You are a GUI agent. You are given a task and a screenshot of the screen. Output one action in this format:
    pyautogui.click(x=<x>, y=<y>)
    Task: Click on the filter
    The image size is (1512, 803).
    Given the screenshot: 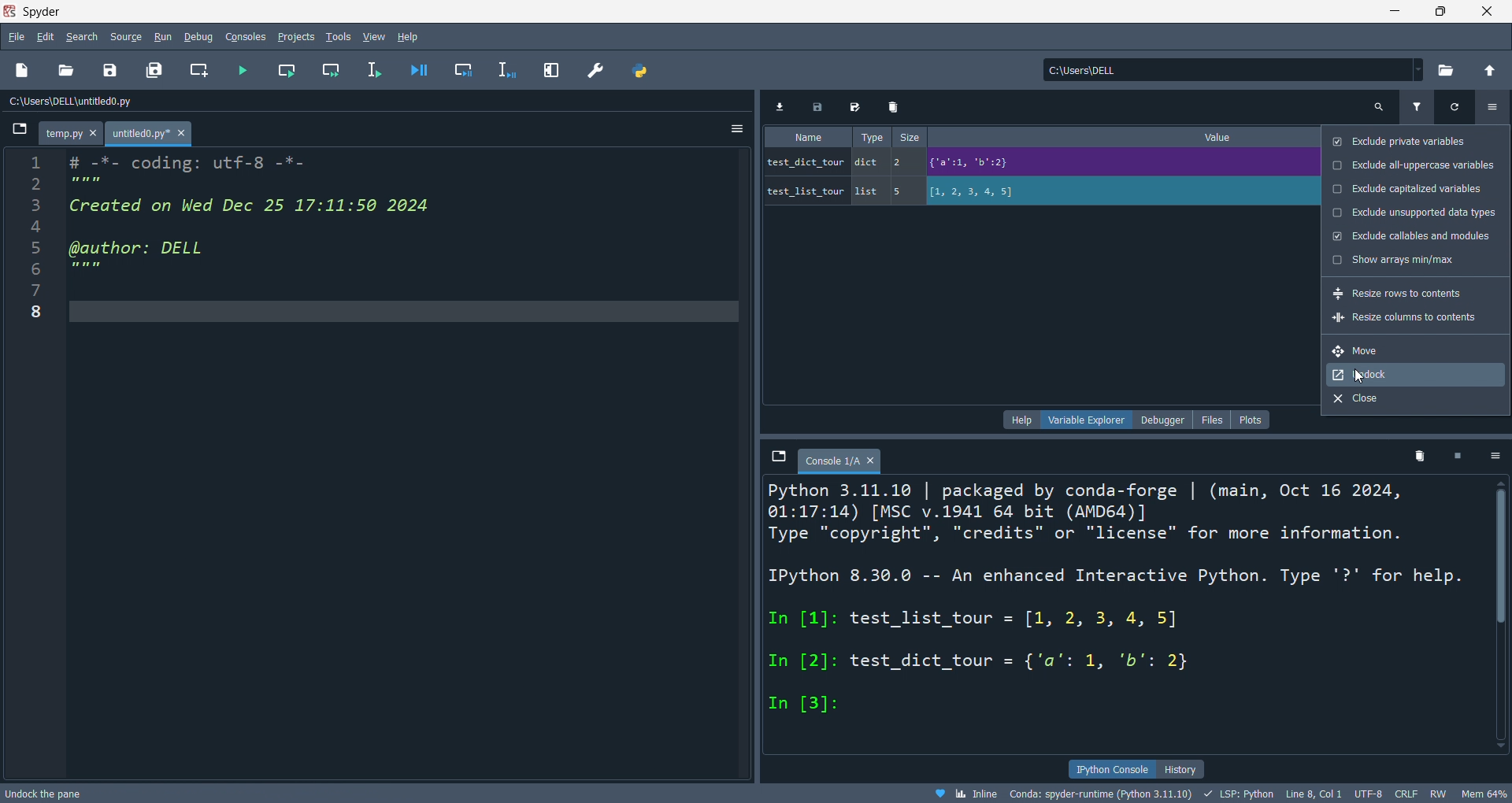 What is the action you would take?
    pyautogui.click(x=1417, y=107)
    